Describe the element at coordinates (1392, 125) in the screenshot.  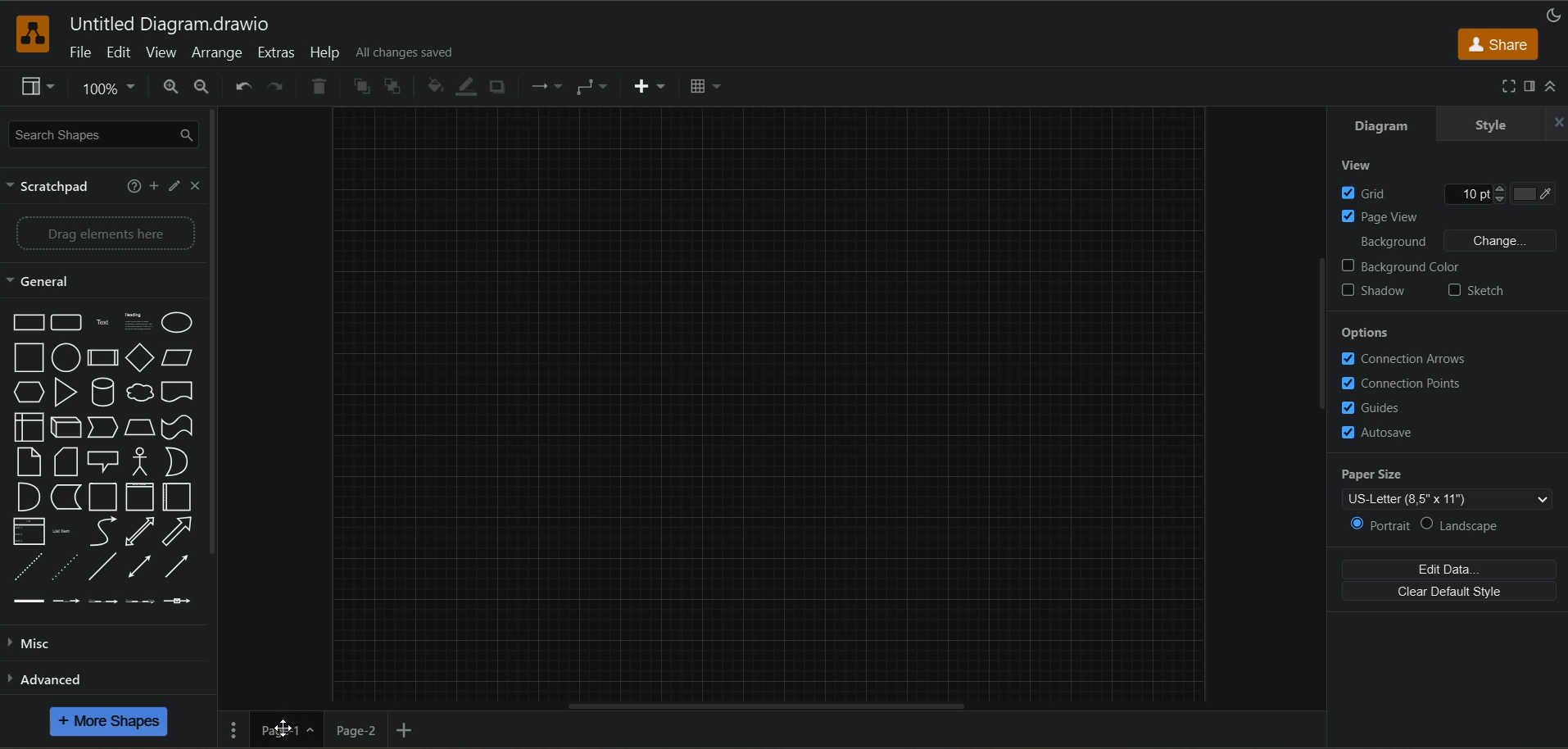
I see `diagram` at that location.